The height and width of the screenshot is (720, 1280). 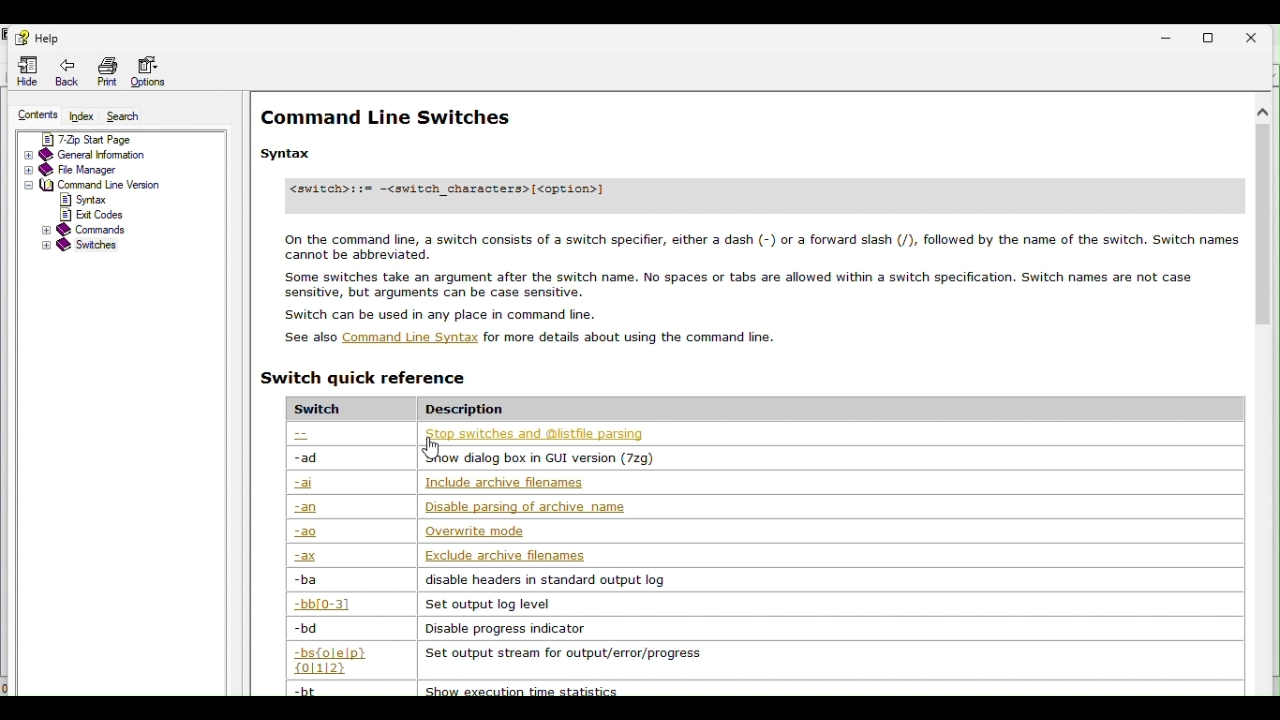 I want to click on , so click(x=311, y=337).